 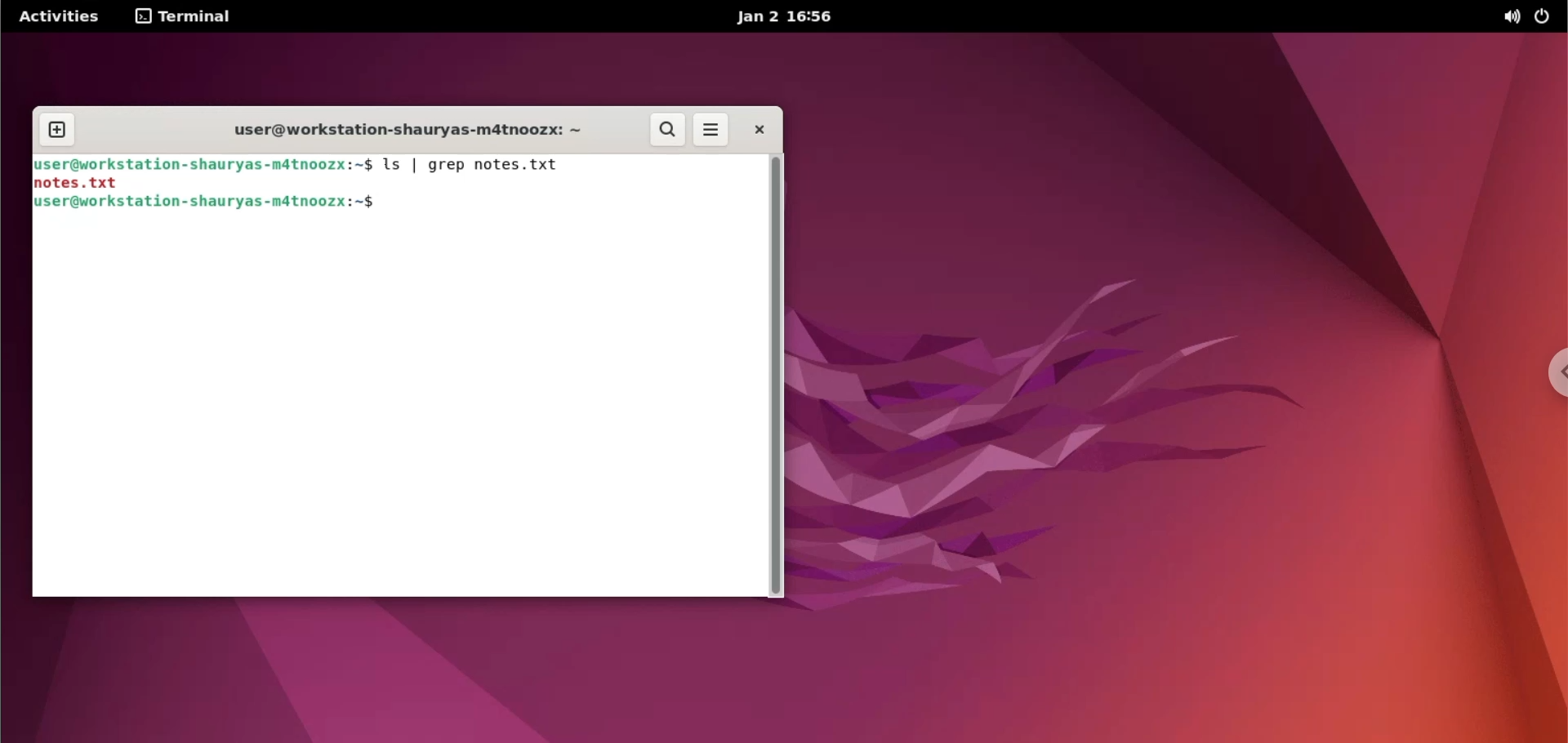 What do you see at coordinates (187, 16) in the screenshot?
I see `Terminal ` at bounding box center [187, 16].